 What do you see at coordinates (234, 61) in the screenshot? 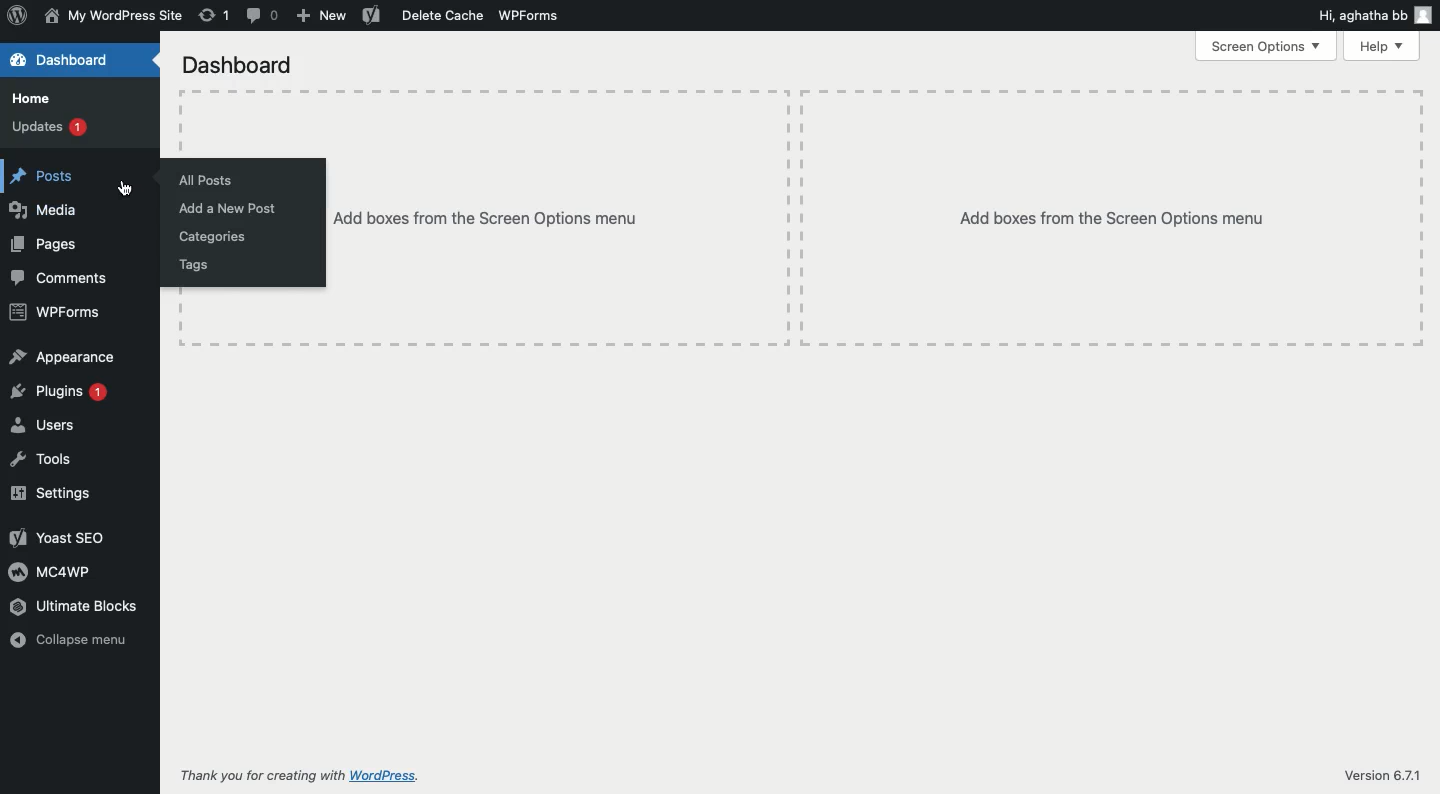
I see `Dashboard` at bounding box center [234, 61].